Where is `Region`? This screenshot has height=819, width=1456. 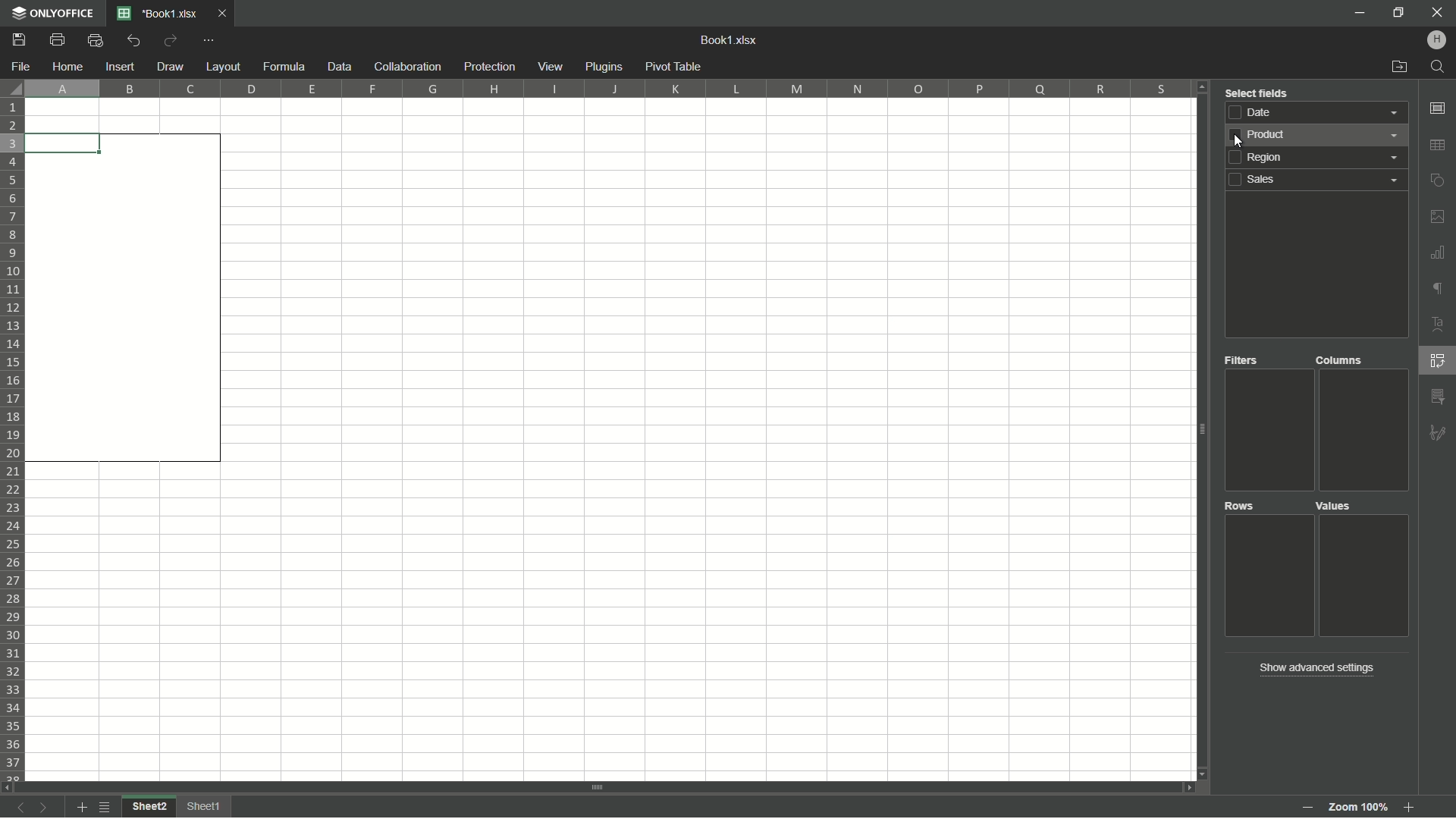
Region is located at coordinates (1322, 159).